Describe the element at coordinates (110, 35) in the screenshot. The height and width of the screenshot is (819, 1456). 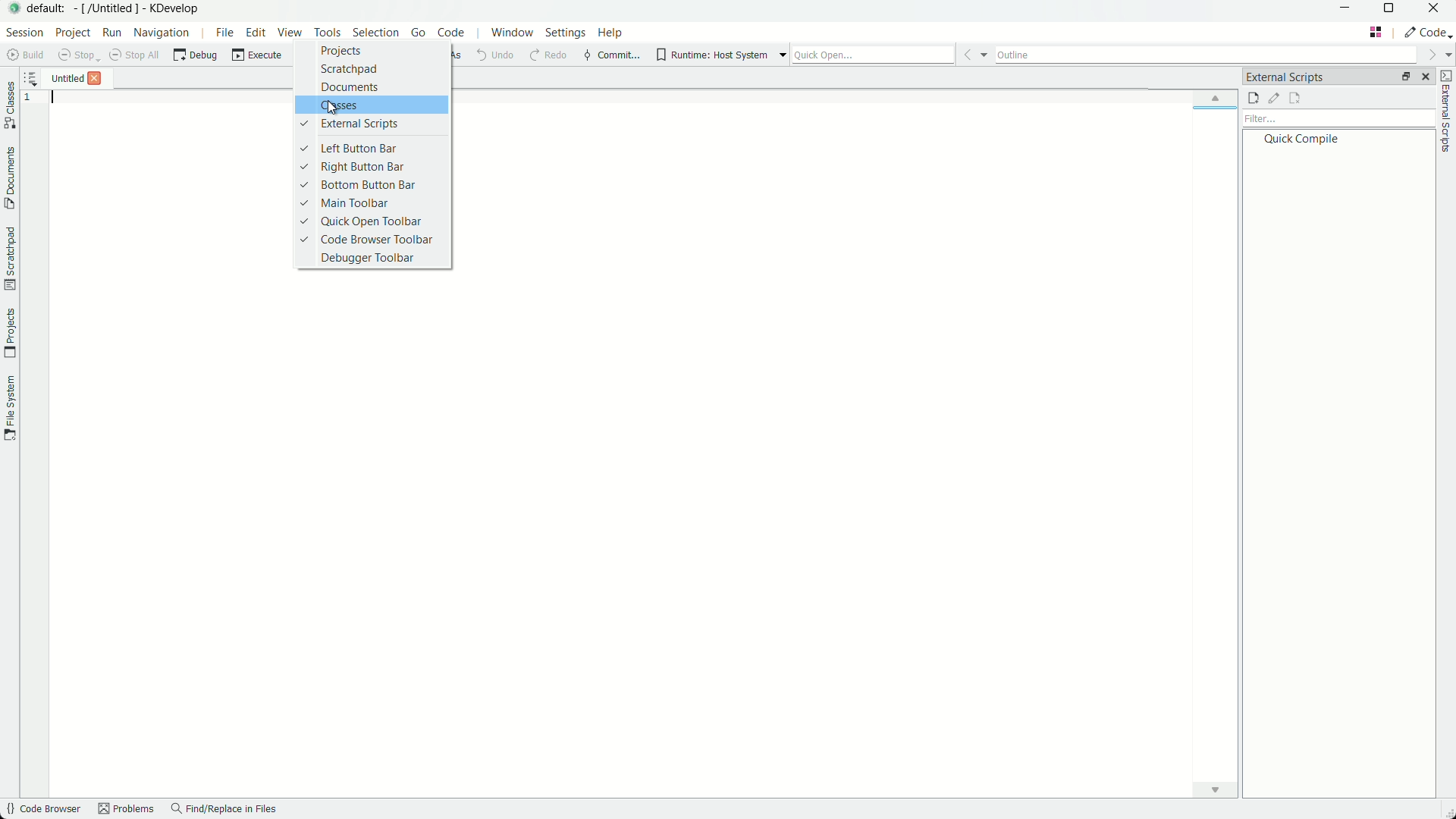
I see `run` at that location.